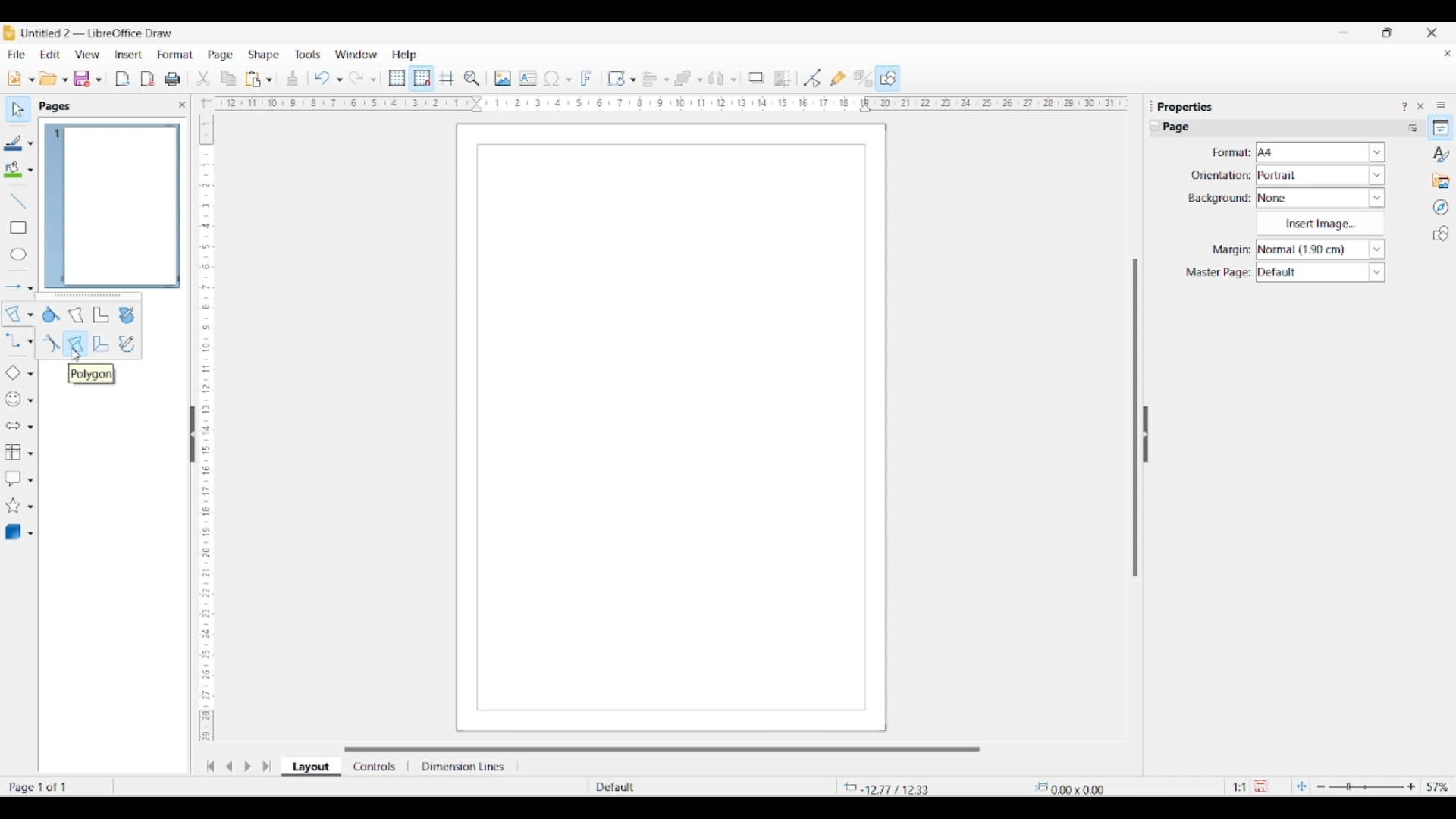 The width and height of the screenshot is (1456, 819). Describe the element at coordinates (13, 479) in the screenshot. I see `Selected callout shape` at that location.